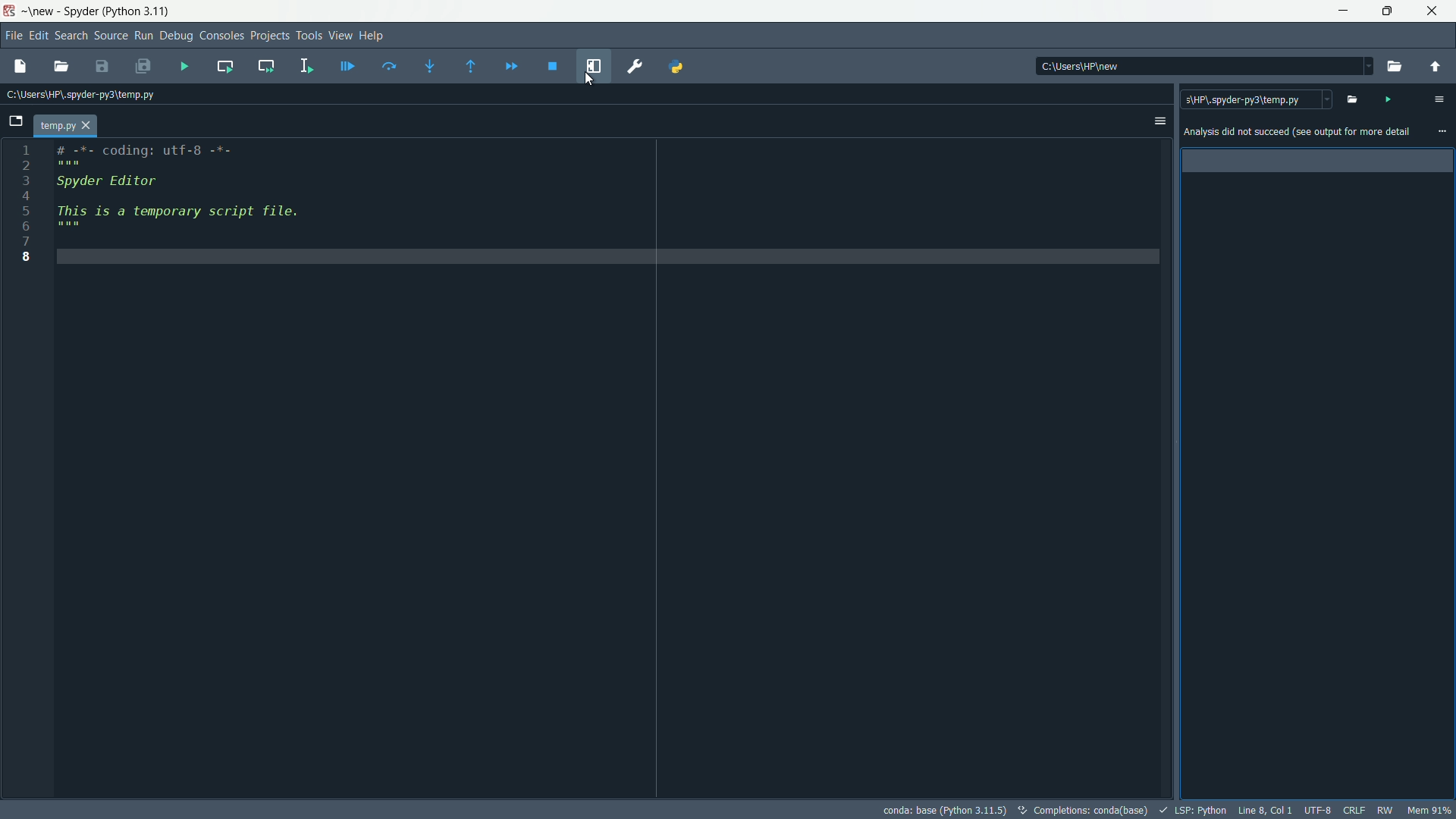  Describe the element at coordinates (1429, 809) in the screenshot. I see `mem 91%` at that location.